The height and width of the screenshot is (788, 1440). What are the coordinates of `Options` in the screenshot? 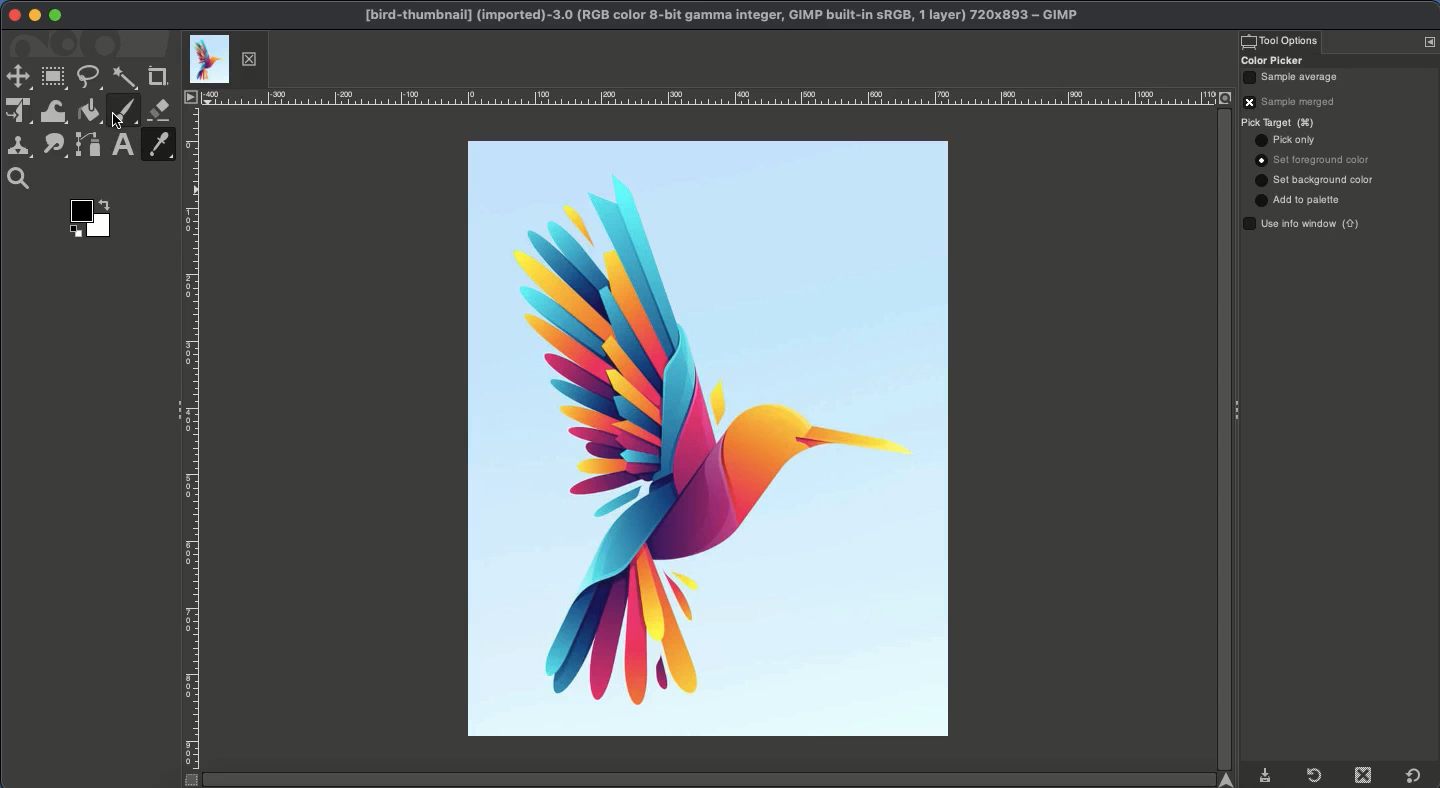 It's located at (1429, 41).